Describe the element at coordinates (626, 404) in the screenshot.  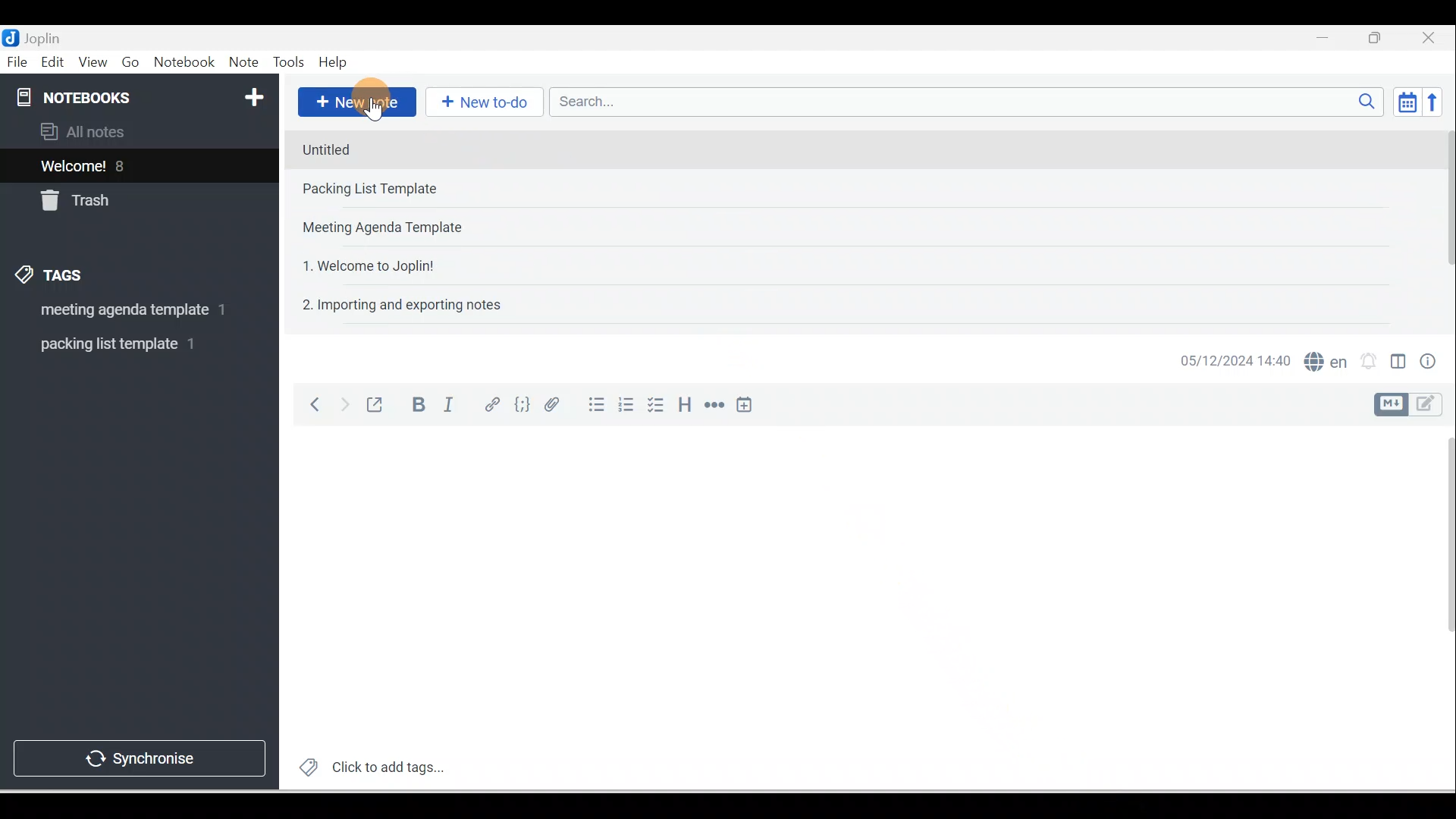
I see `Numbered list` at that location.